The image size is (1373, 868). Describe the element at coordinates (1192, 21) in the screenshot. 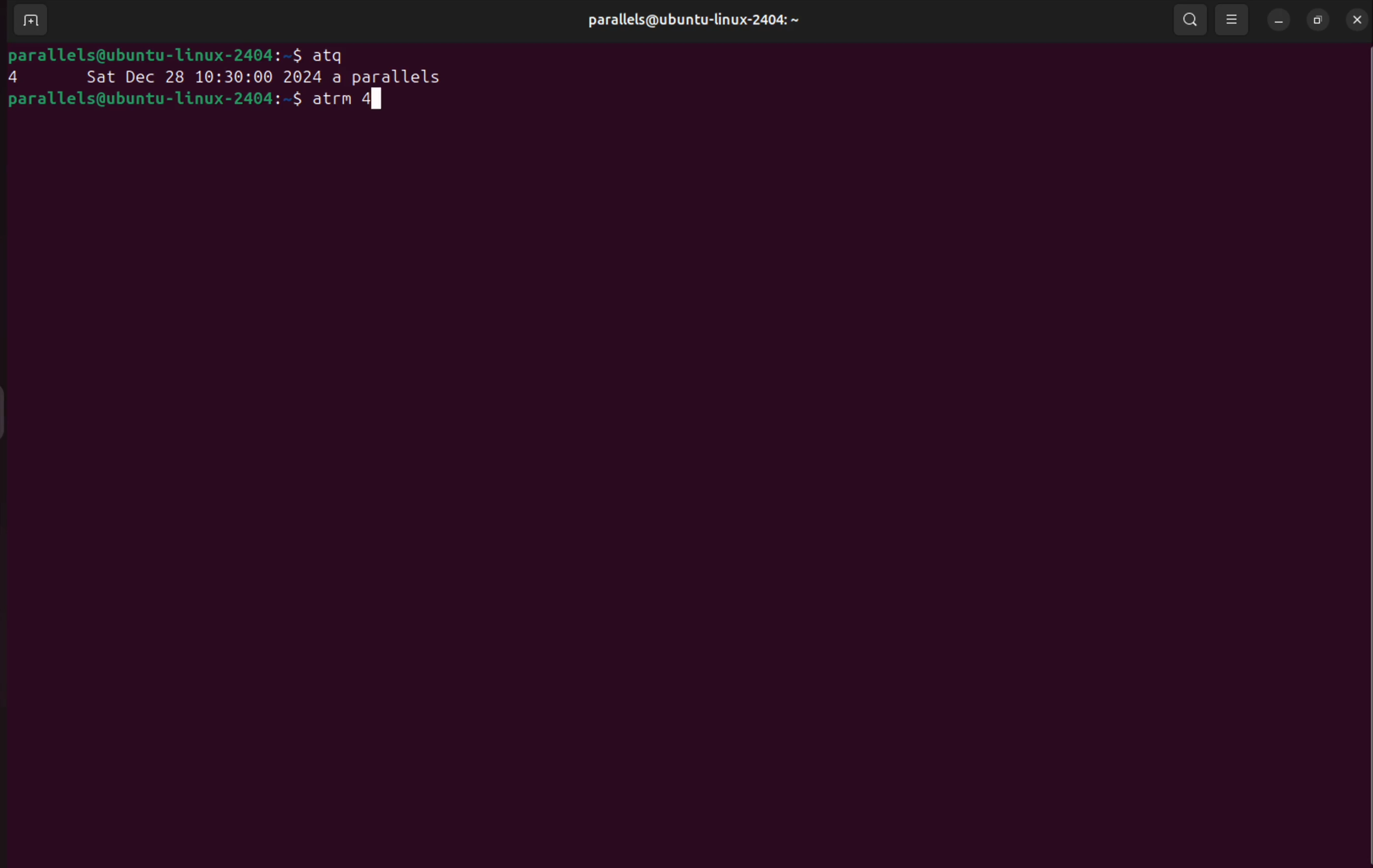

I see `search` at that location.